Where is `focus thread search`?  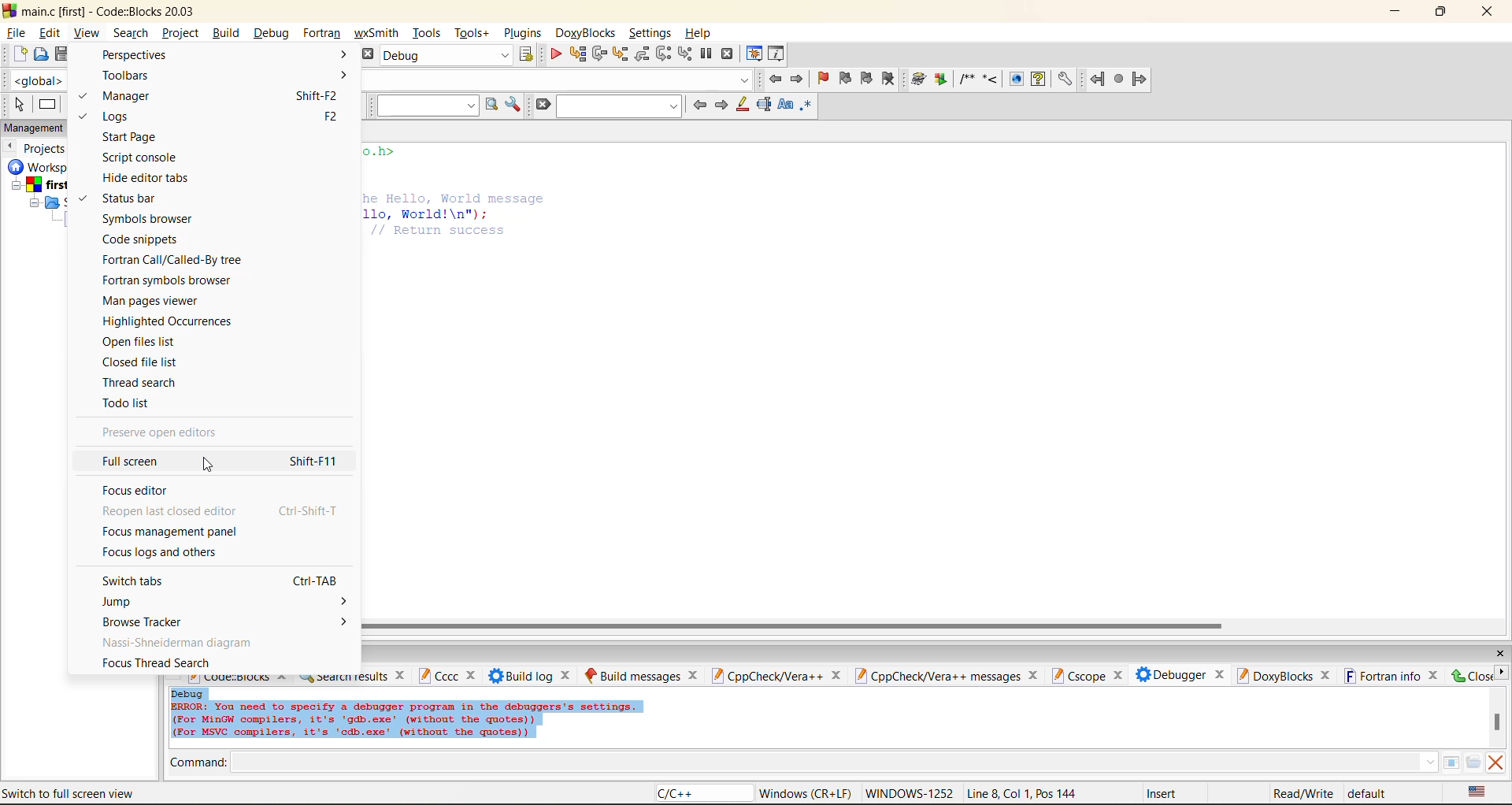 focus thread search is located at coordinates (158, 663).